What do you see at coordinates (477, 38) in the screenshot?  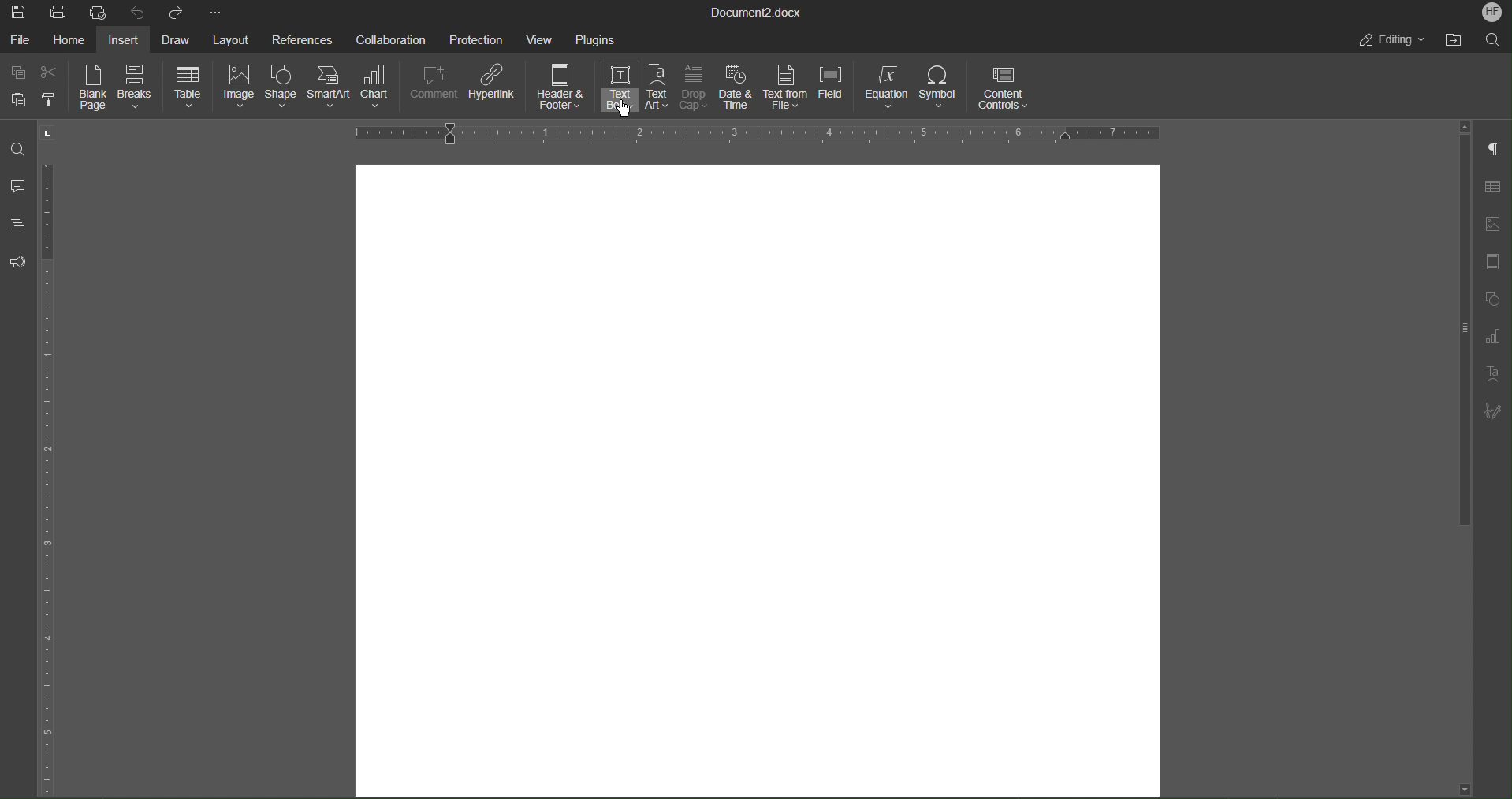 I see `Protection` at bounding box center [477, 38].